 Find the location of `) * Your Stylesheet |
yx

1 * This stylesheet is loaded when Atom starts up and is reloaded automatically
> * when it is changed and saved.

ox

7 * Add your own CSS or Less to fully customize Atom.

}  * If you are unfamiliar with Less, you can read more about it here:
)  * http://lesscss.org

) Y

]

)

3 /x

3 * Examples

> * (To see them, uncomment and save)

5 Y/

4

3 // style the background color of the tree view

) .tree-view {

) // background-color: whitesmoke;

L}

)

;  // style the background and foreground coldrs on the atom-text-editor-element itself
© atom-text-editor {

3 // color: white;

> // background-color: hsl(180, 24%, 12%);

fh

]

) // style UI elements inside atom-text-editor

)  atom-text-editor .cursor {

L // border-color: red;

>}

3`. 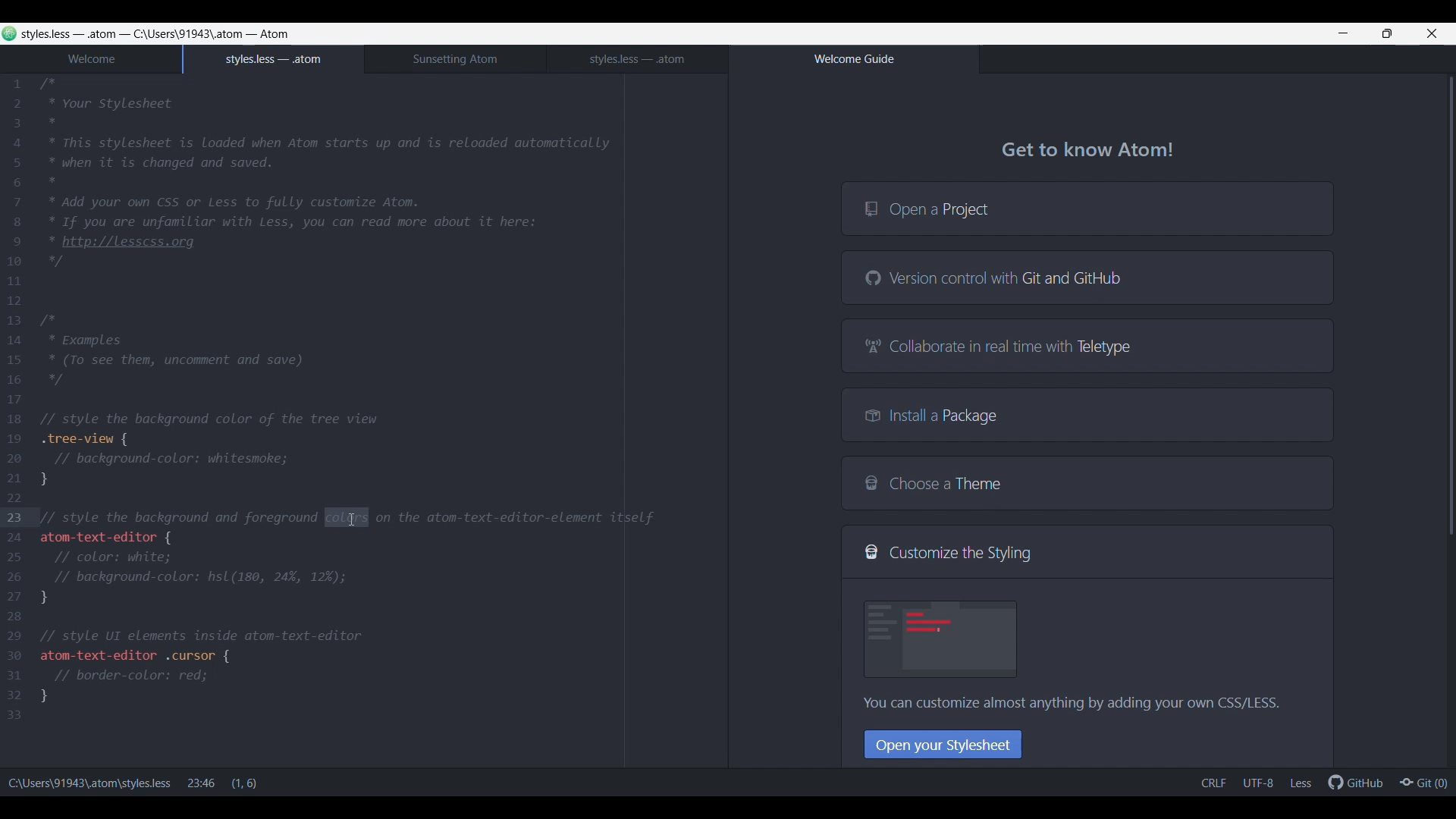

) * Your Stylesheet |
yx

1 * This stylesheet is loaded when Atom starts up and is reloaded automatically
> * when it is changed and saved.

ox

7 * Add your own CSS or Less to fully customize Atom.

}  * If you are unfamiliar with Less, you can read more about it here:
)  * http://lesscss.org

) Y

]

)

3 /x

3 * Examples

> * (To see them, uncomment and save)

5 Y/

4

3 // style the background color of the tree view

) .tree-view {

) // background-color: whitesmoke;

L}

)

;  // style the background and foreground coldrs on the atom-text-editor-element itself
© atom-text-editor {

3 // color: white;

> // background-color: hsl(180, 24%, 12%);

fh

]

) // style UI elements inside atom-text-editor

)  atom-text-editor .cursor {

L // border-color: red;

>}

3 is located at coordinates (354, 401).